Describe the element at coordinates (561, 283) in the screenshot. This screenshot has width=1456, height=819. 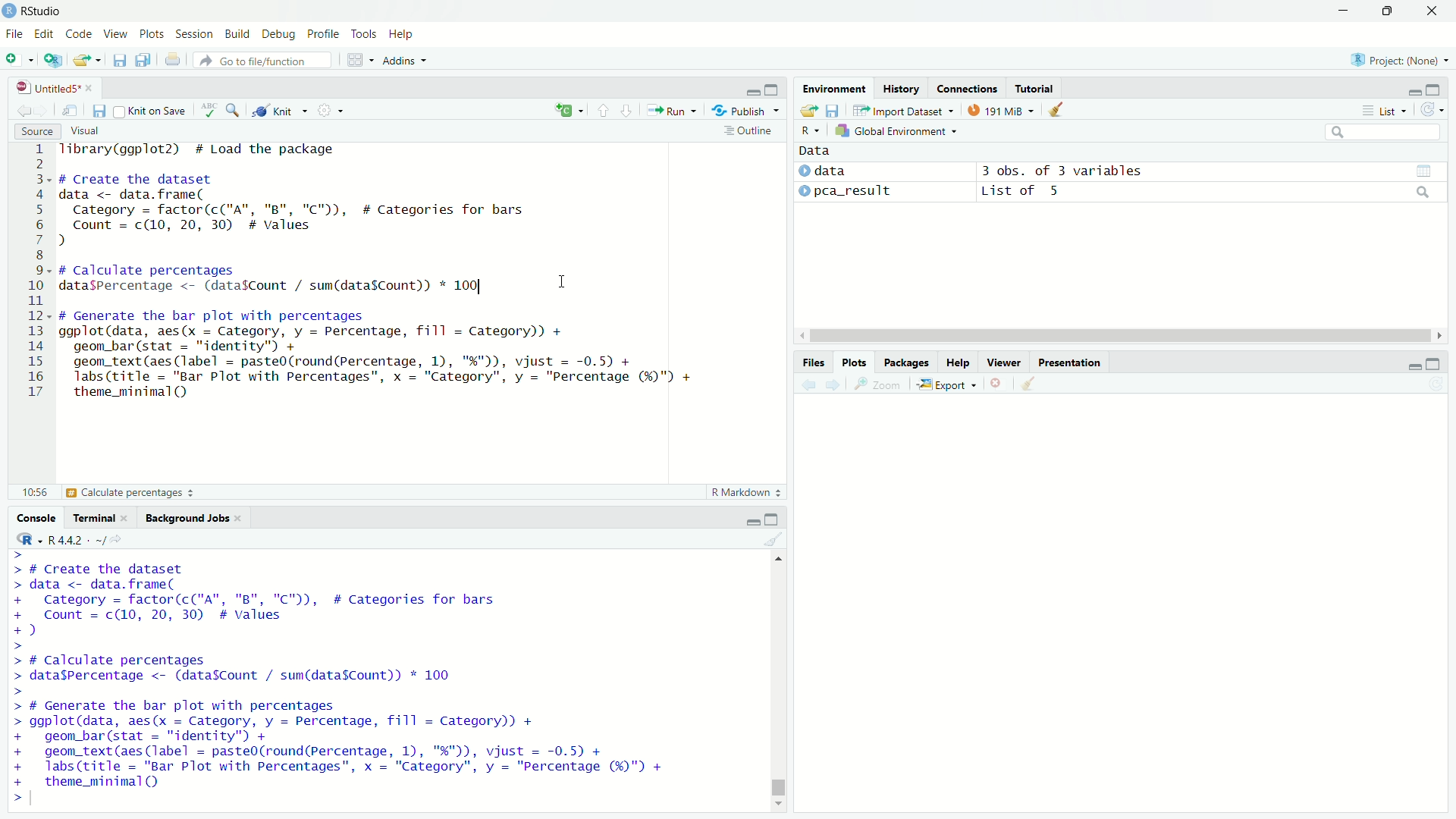
I see `cursor` at that location.